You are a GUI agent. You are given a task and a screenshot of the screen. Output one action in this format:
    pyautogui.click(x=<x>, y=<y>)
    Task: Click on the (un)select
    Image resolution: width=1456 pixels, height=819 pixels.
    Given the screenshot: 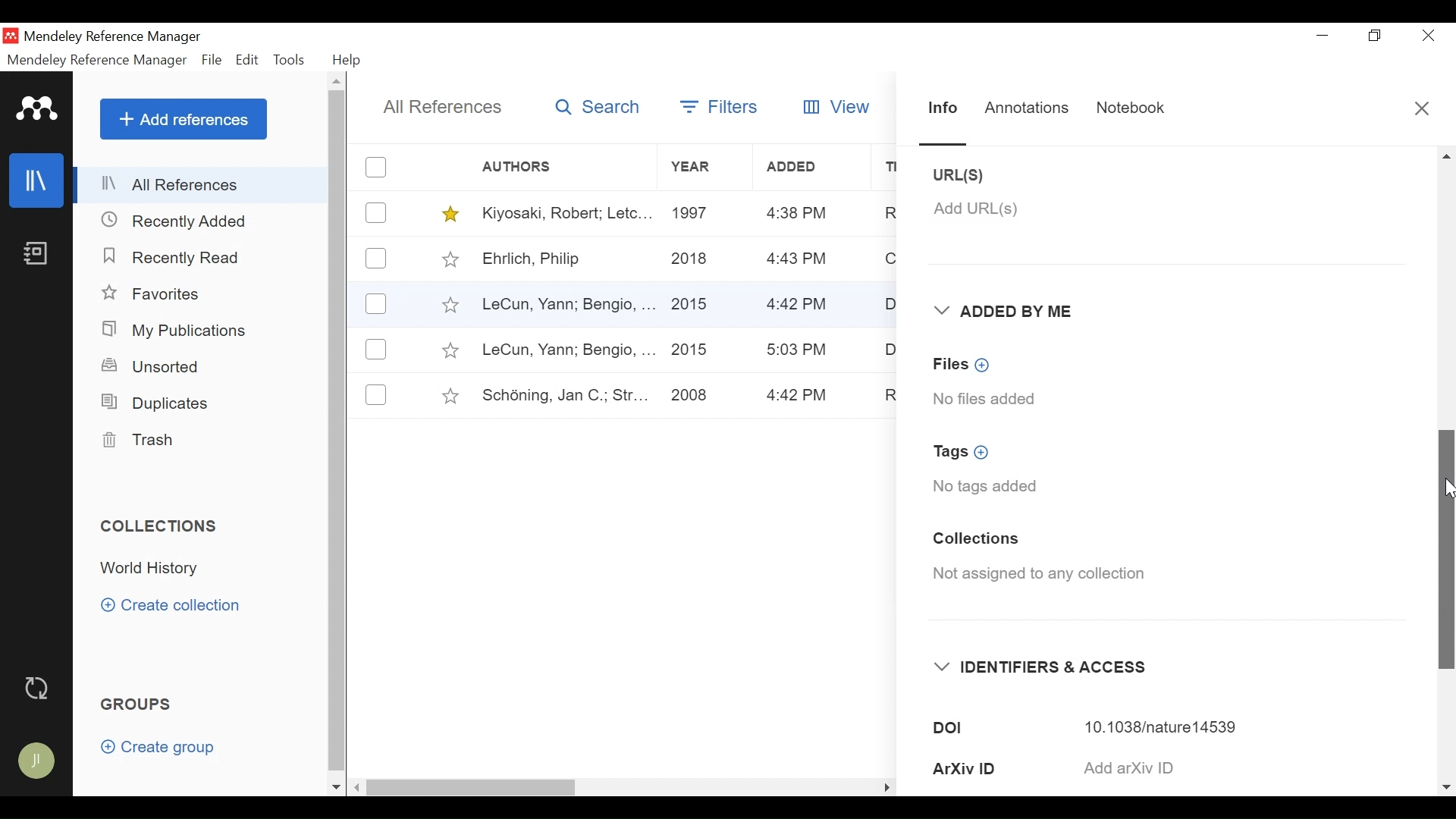 What is the action you would take?
    pyautogui.click(x=376, y=167)
    